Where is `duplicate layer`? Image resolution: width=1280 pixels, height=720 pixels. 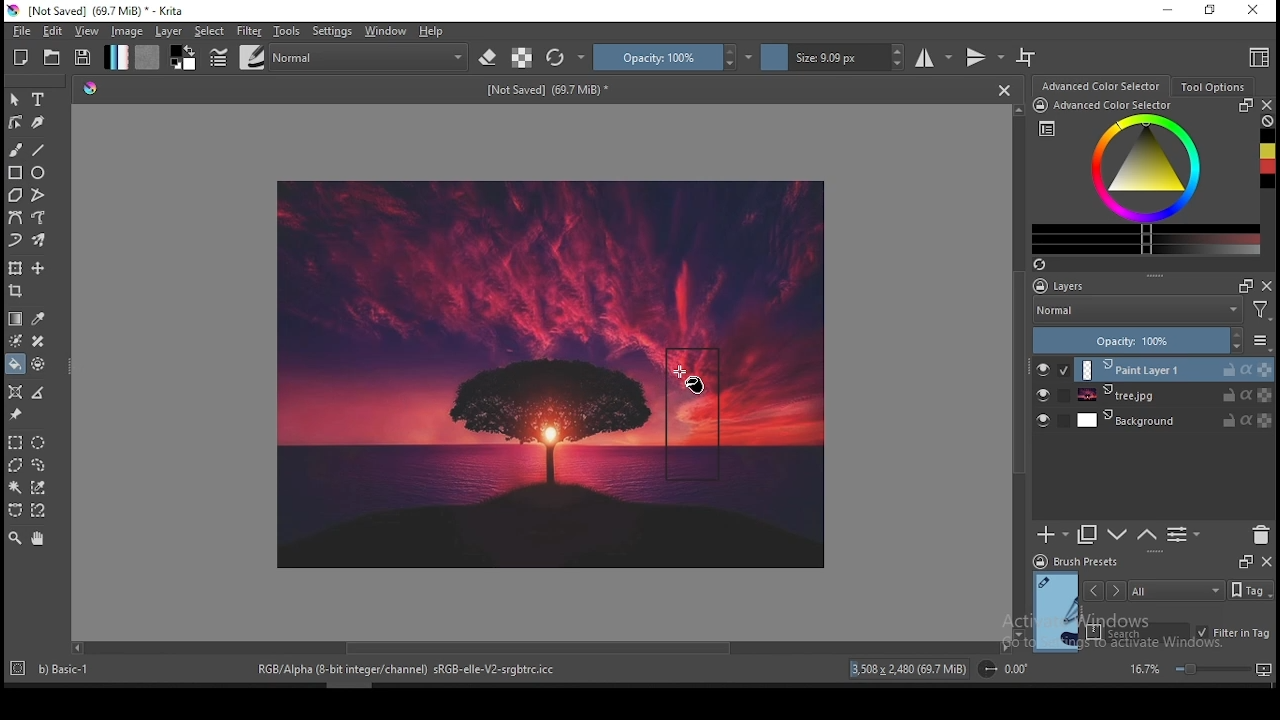 duplicate layer is located at coordinates (1088, 536).